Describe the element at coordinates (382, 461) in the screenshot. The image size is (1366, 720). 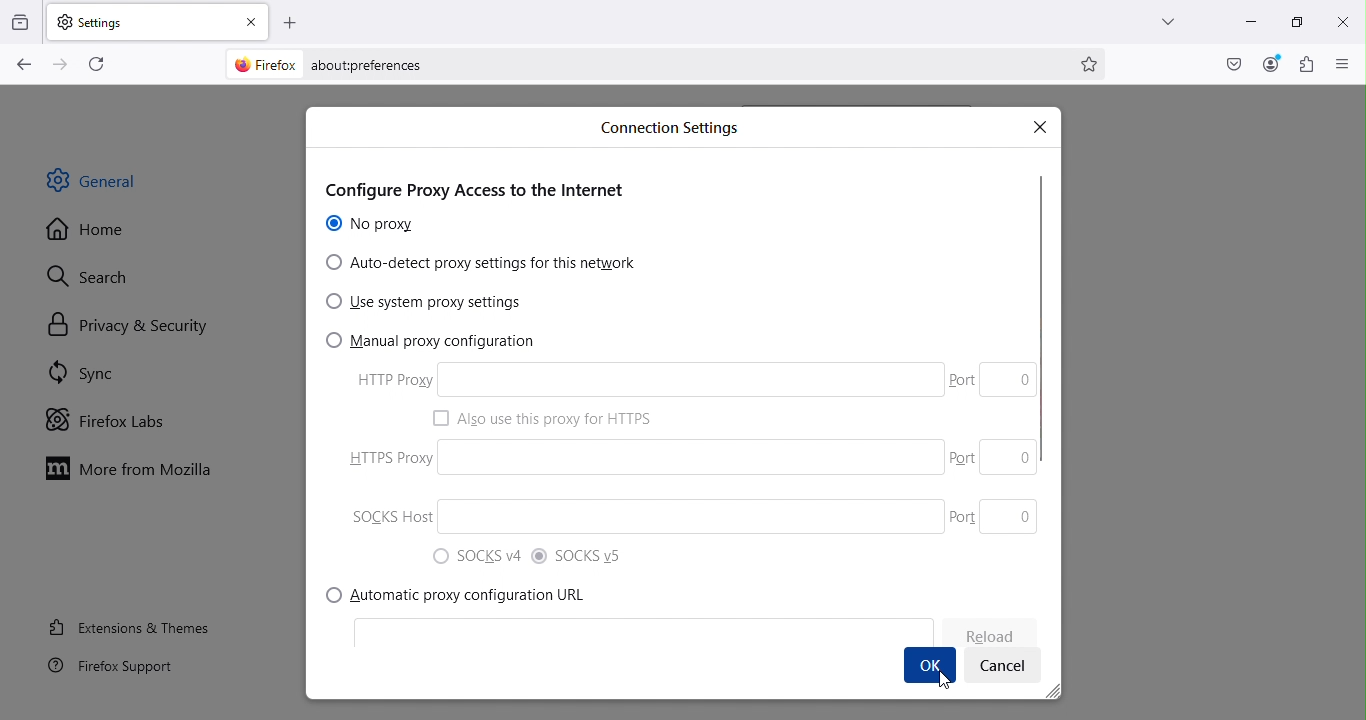
I see `HTTPS Proxy` at that location.